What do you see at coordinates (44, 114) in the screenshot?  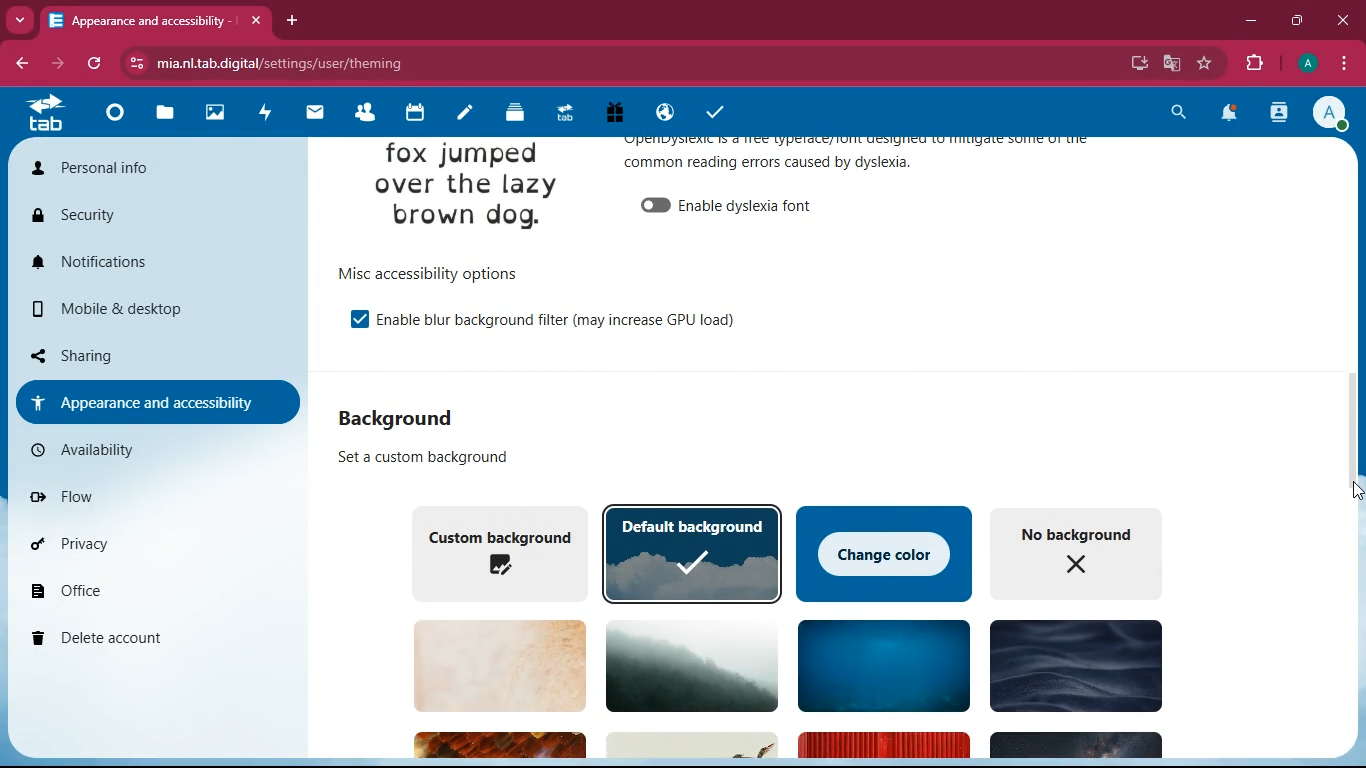 I see `tab` at bounding box center [44, 114].